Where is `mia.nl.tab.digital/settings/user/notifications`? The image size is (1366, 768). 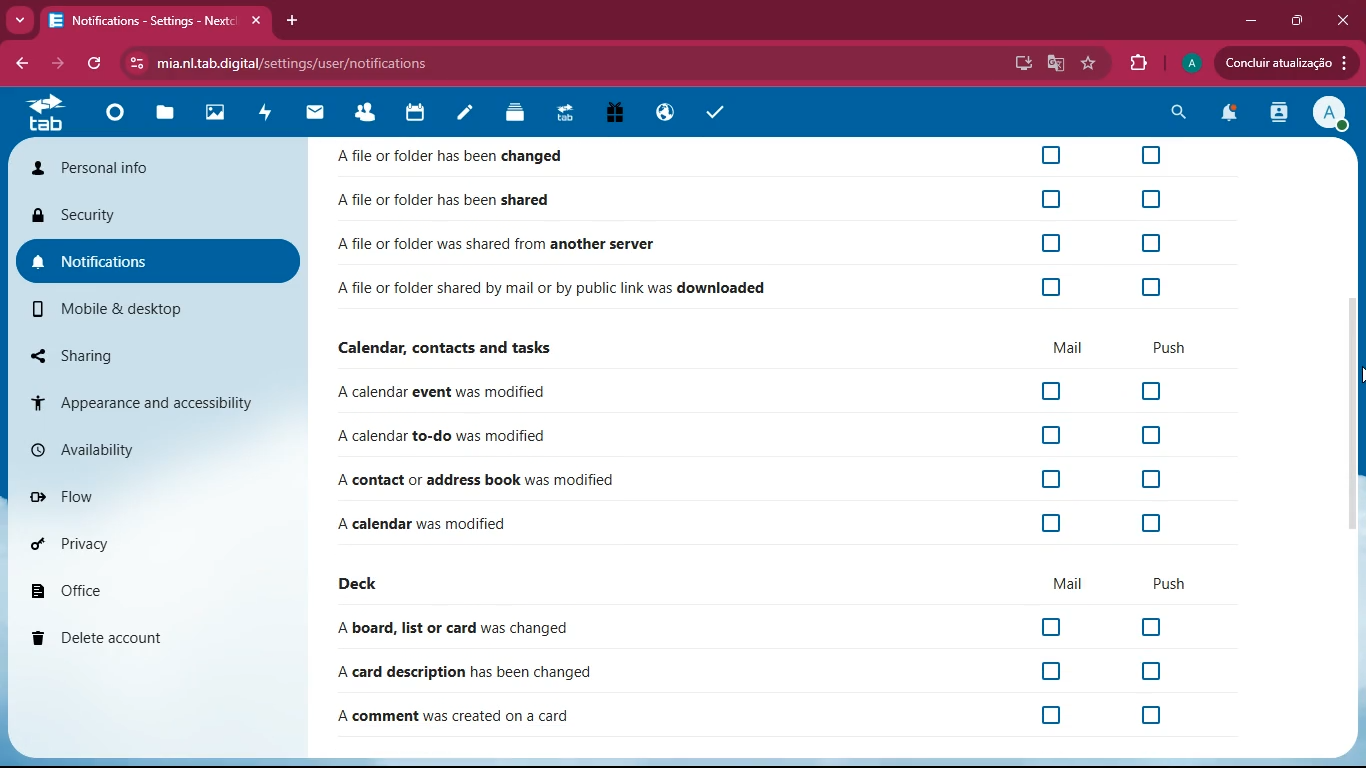
mia.nl.tab.digital/settings/user/notifications is located at coordinates (293, 64).